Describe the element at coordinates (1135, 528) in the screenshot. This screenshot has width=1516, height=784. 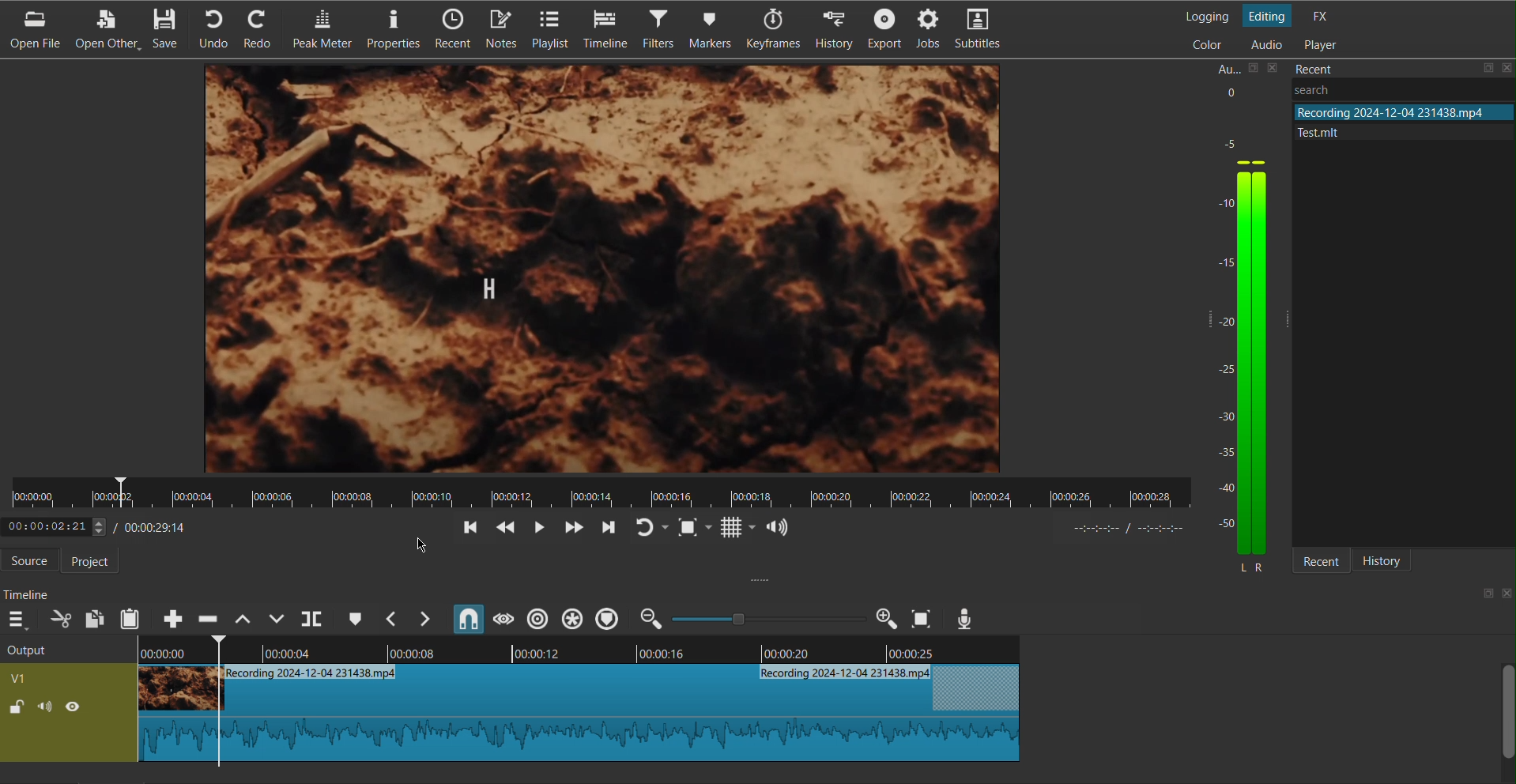
I see `timer format` at that location.